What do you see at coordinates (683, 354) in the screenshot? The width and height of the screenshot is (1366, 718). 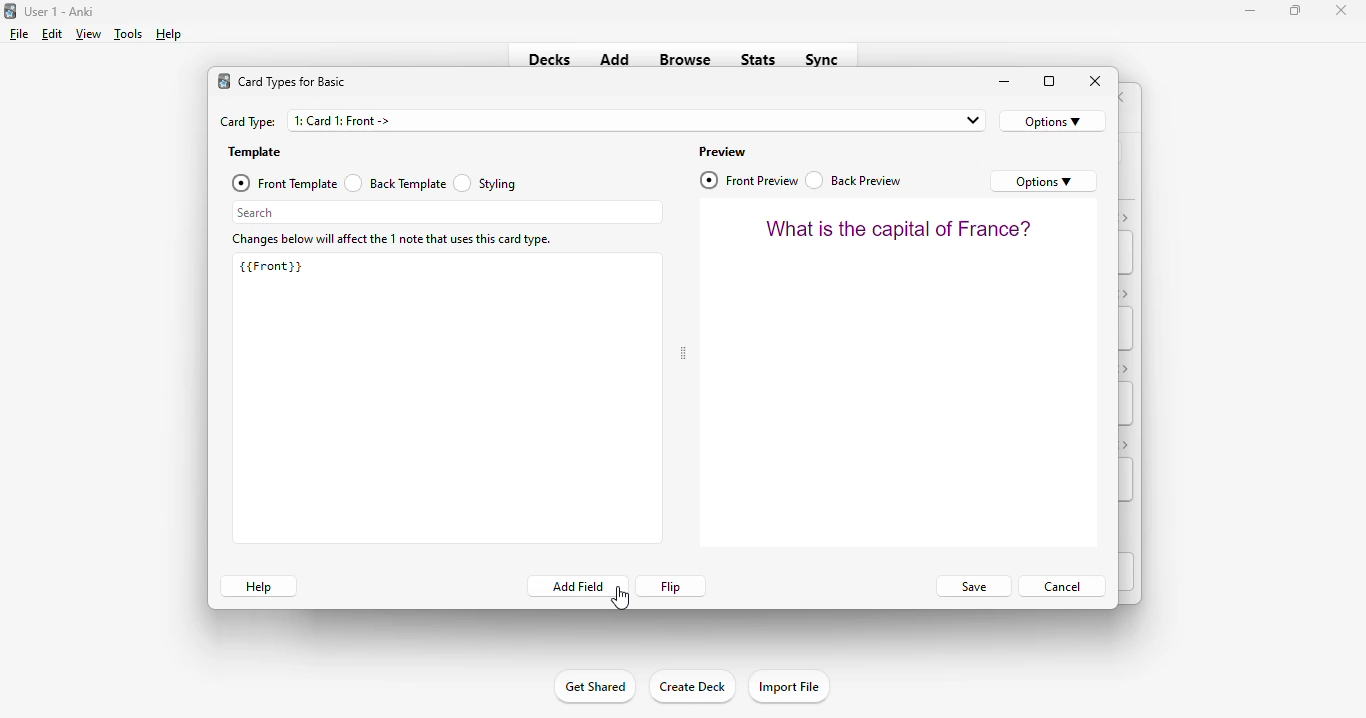 I see `toggle sidebar` at bounding box center [683, 354].